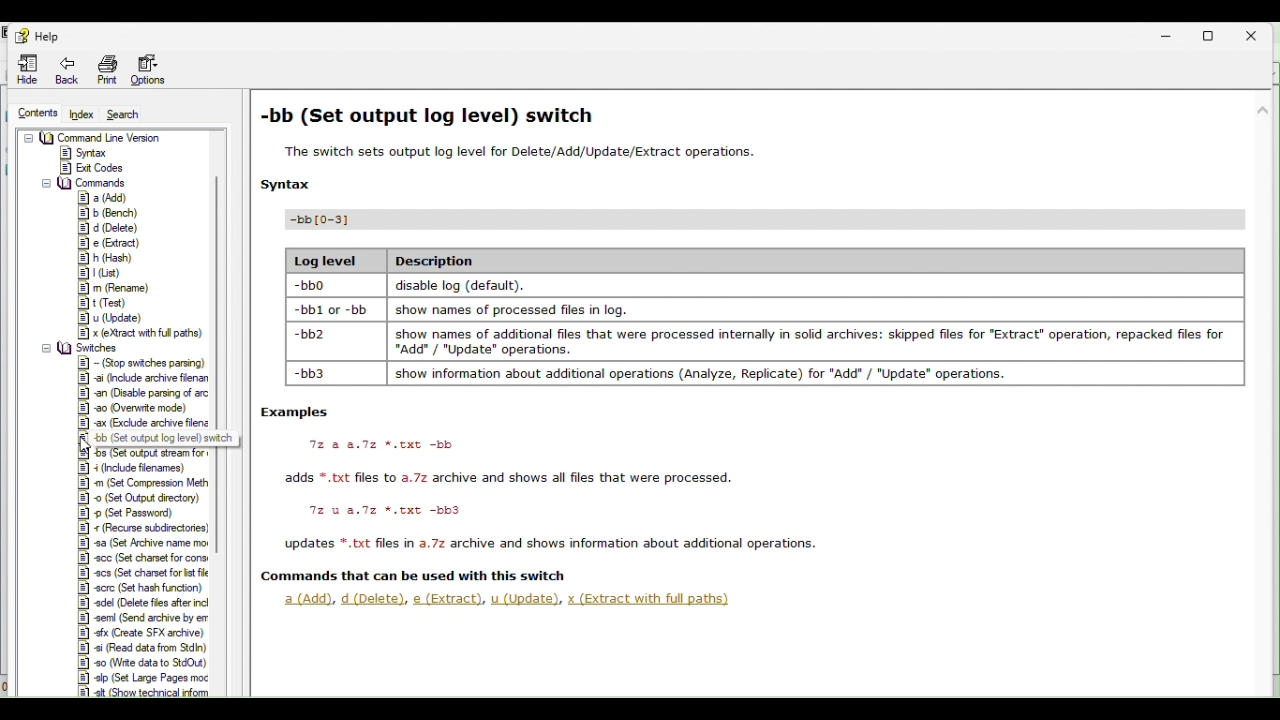 Image resolution: width=1280 pixels, height=720 pixels. Describe the element at coordinates (104, 303) in the screenshot. I see `Z)t (Test)` at that location.